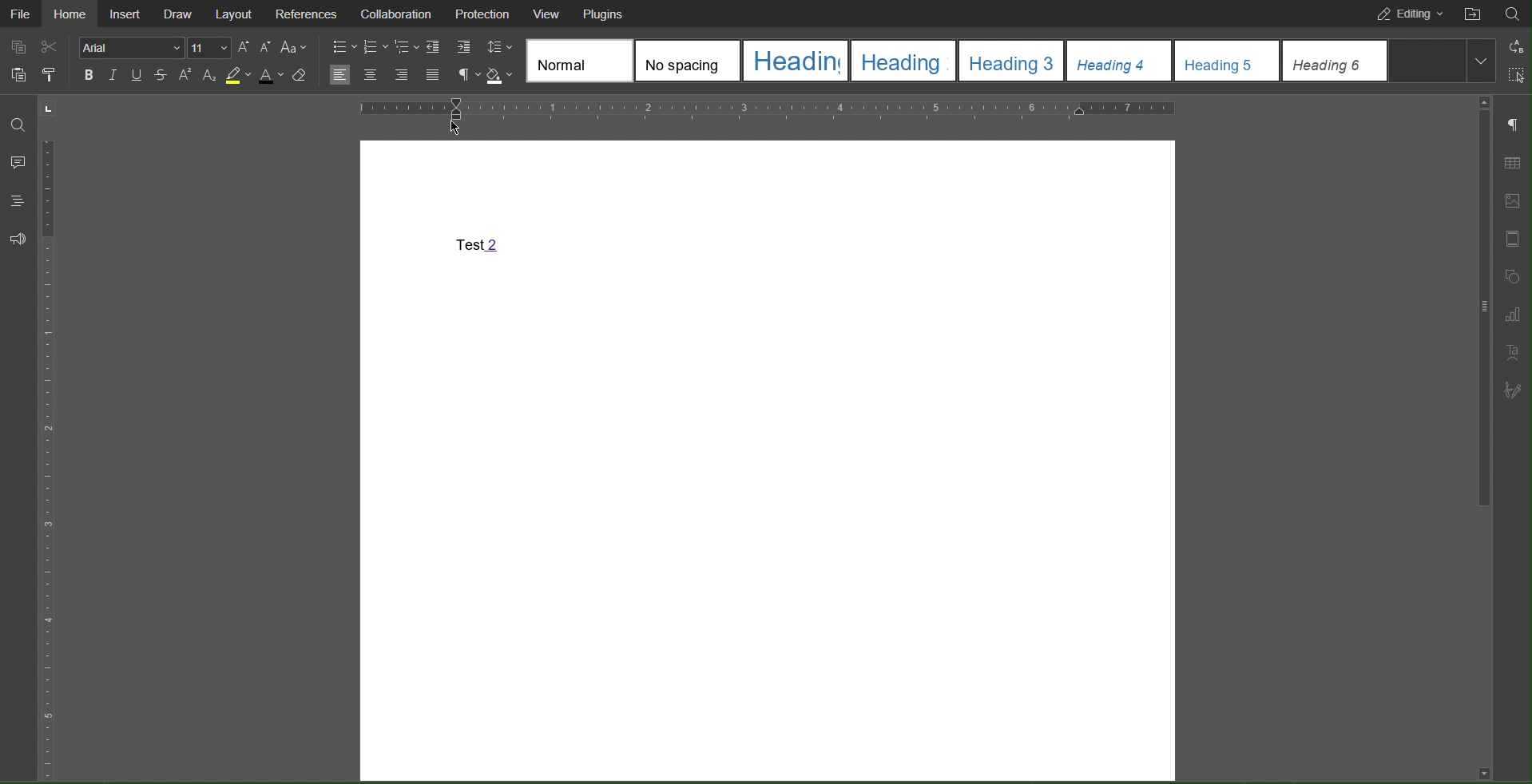 The width and height of the screenshot is (1532, 784). What do you see at coordinates (500, 45) in the screenshot?
I see `Line Spacing` at bounding box center [500, 45].